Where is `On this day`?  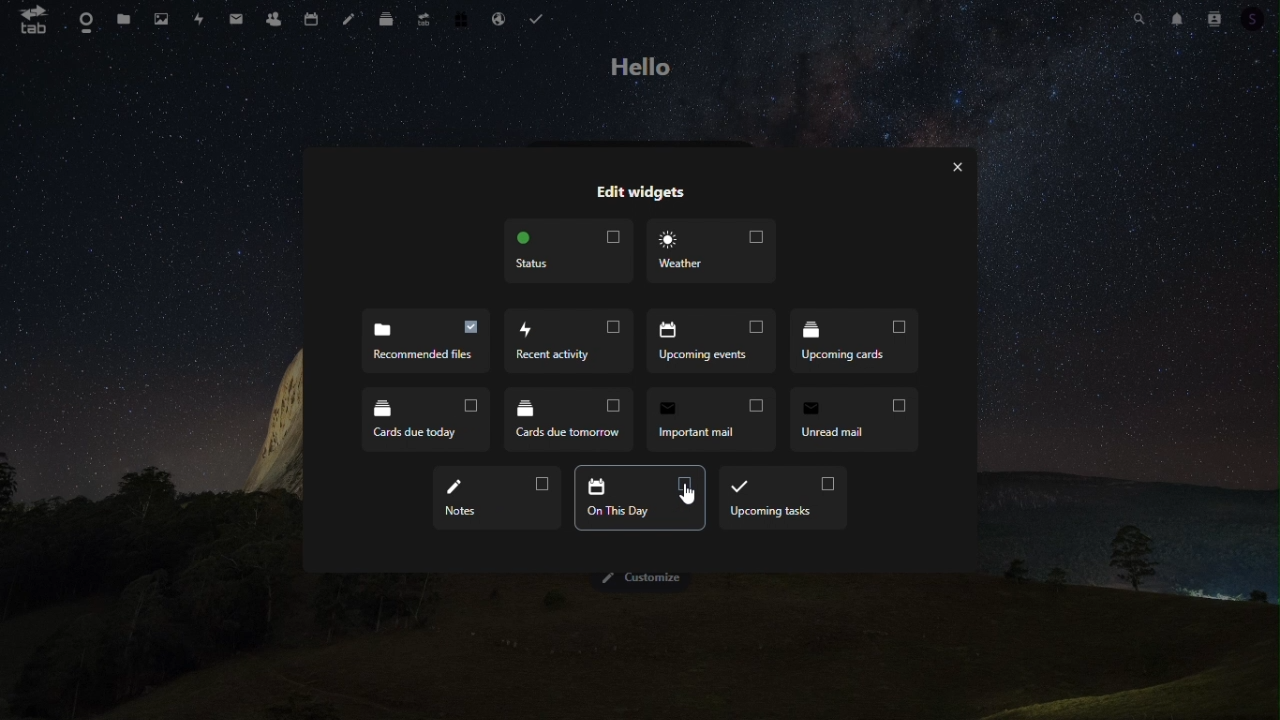
On this day is located at coordinates (635, 499).